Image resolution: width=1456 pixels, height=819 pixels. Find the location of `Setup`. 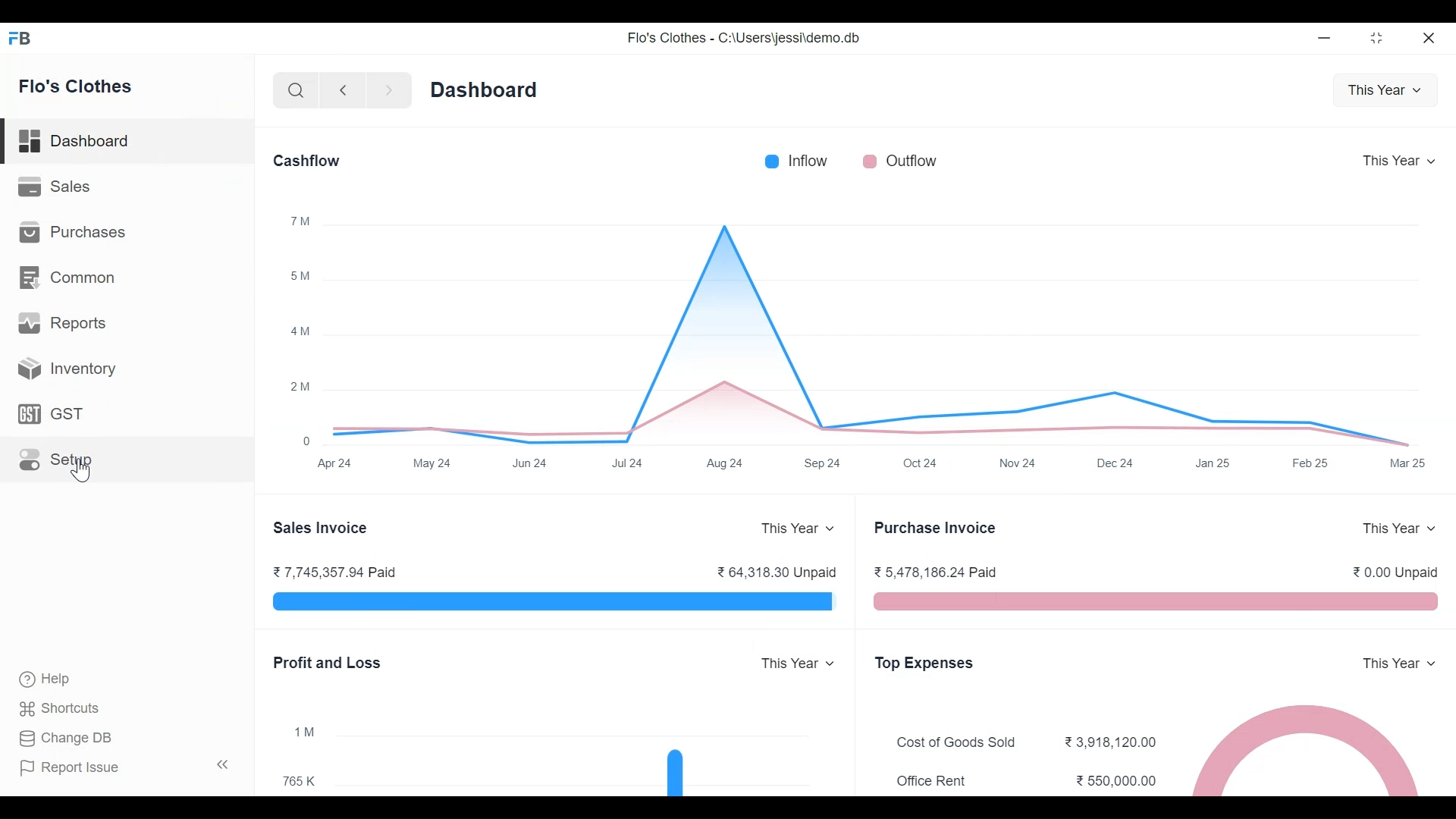

Setup is located at coordinates (55, 463).